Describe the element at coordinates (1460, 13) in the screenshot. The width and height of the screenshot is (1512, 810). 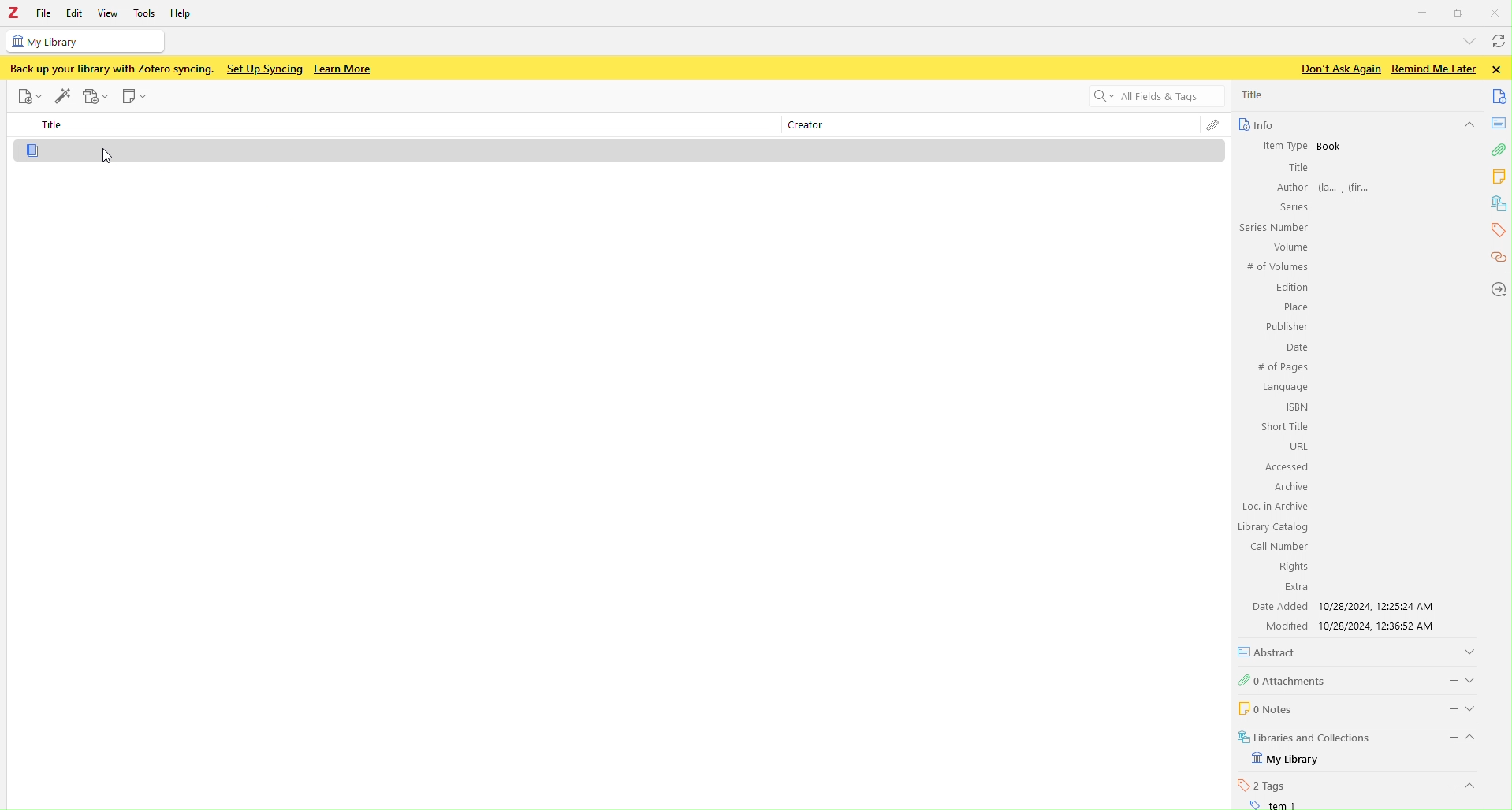
I see `Box` at that location.